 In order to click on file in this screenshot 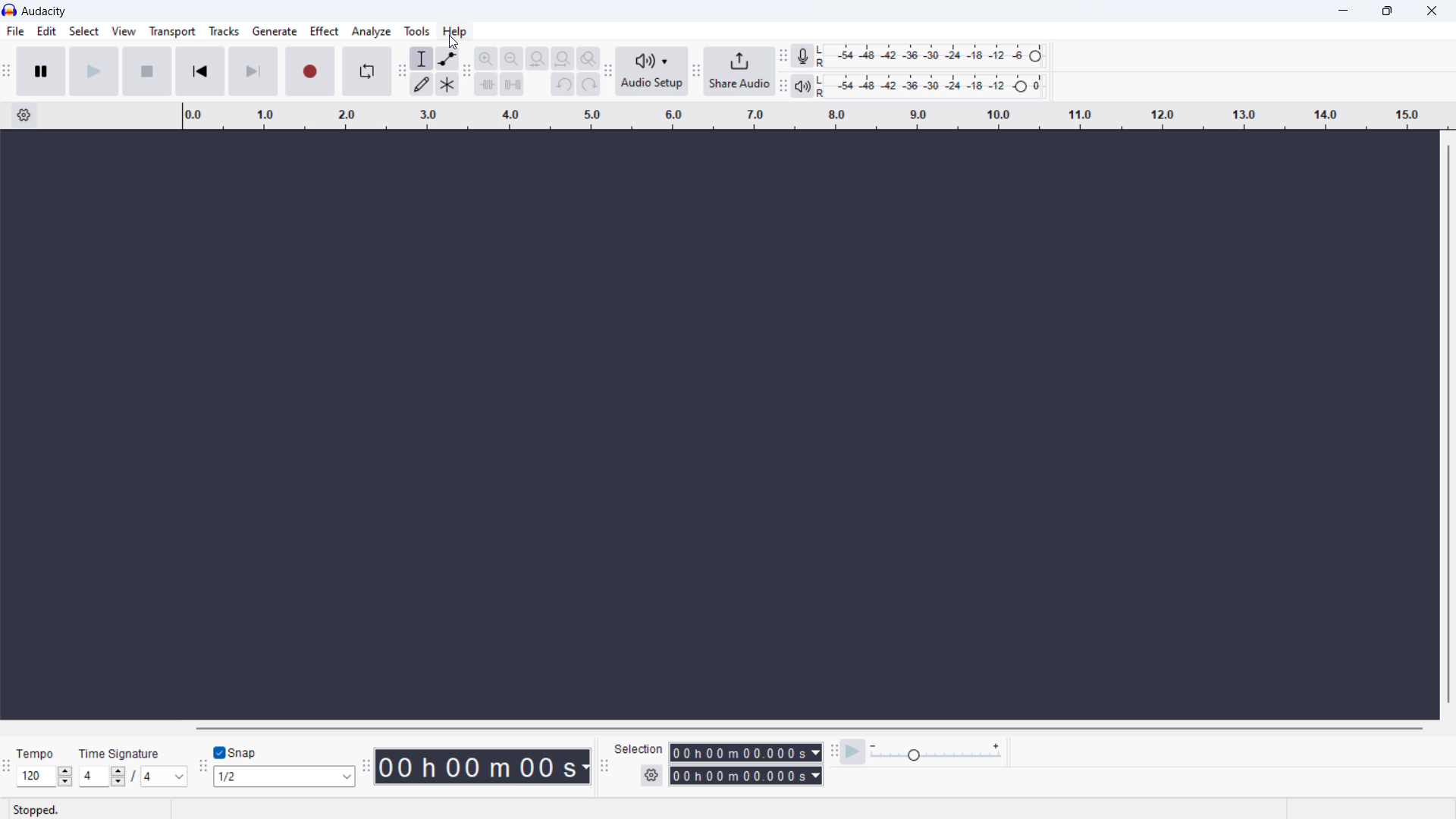, I will do `click(14, 31)`.